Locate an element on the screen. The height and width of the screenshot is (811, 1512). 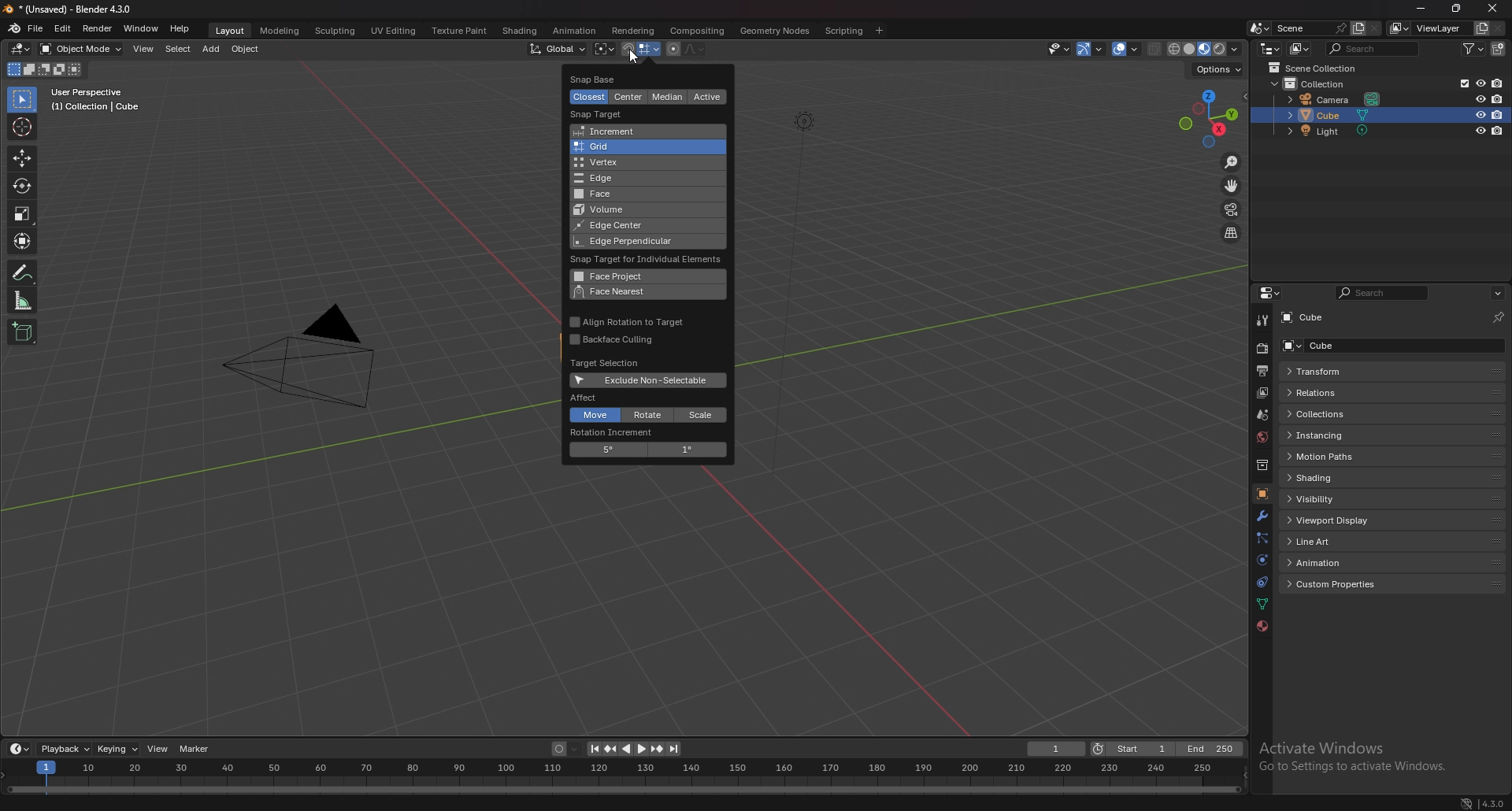
object is located at coordinates (246, 50).